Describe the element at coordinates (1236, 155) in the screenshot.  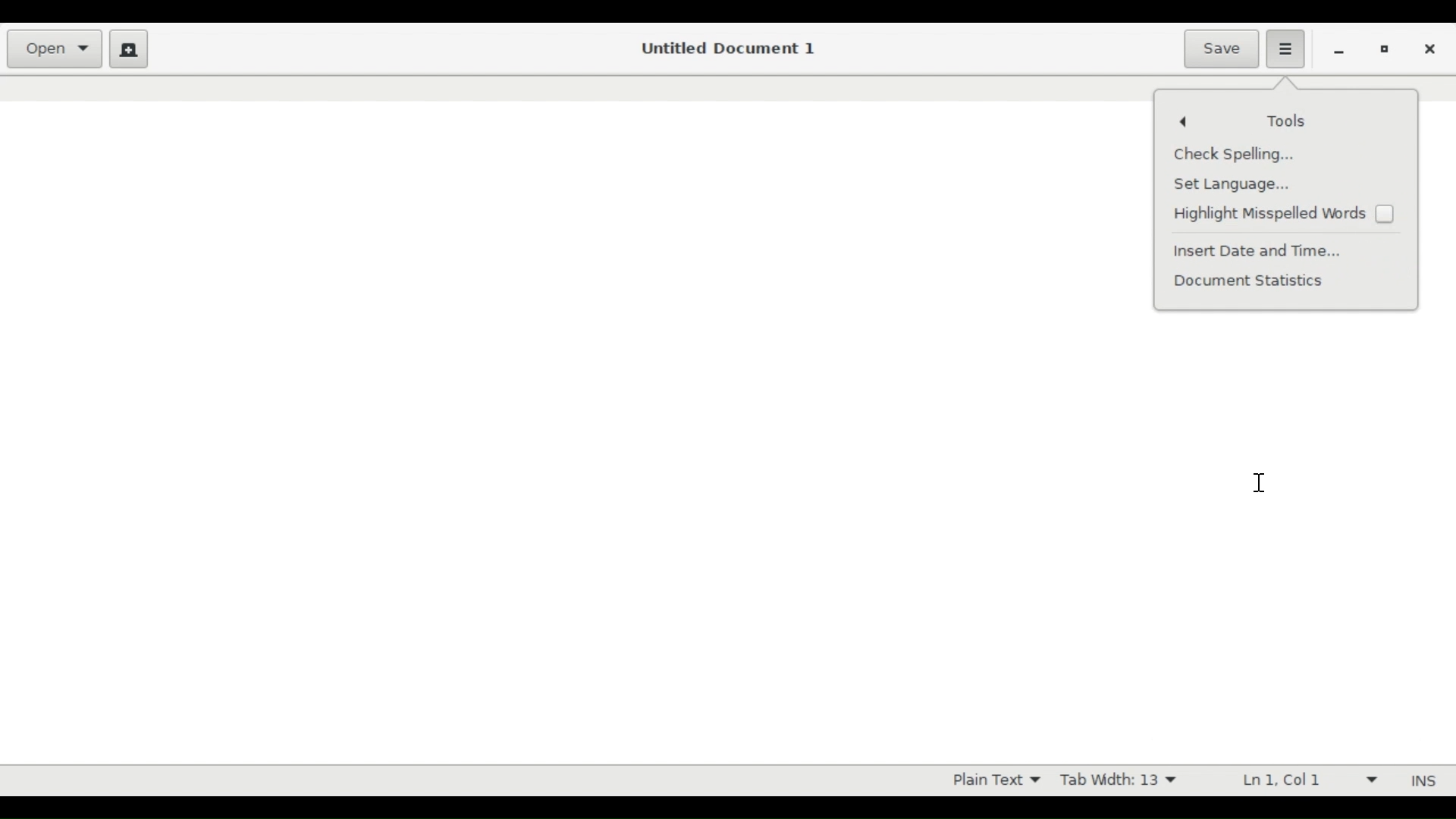
I see `Check Spelling` at that location.